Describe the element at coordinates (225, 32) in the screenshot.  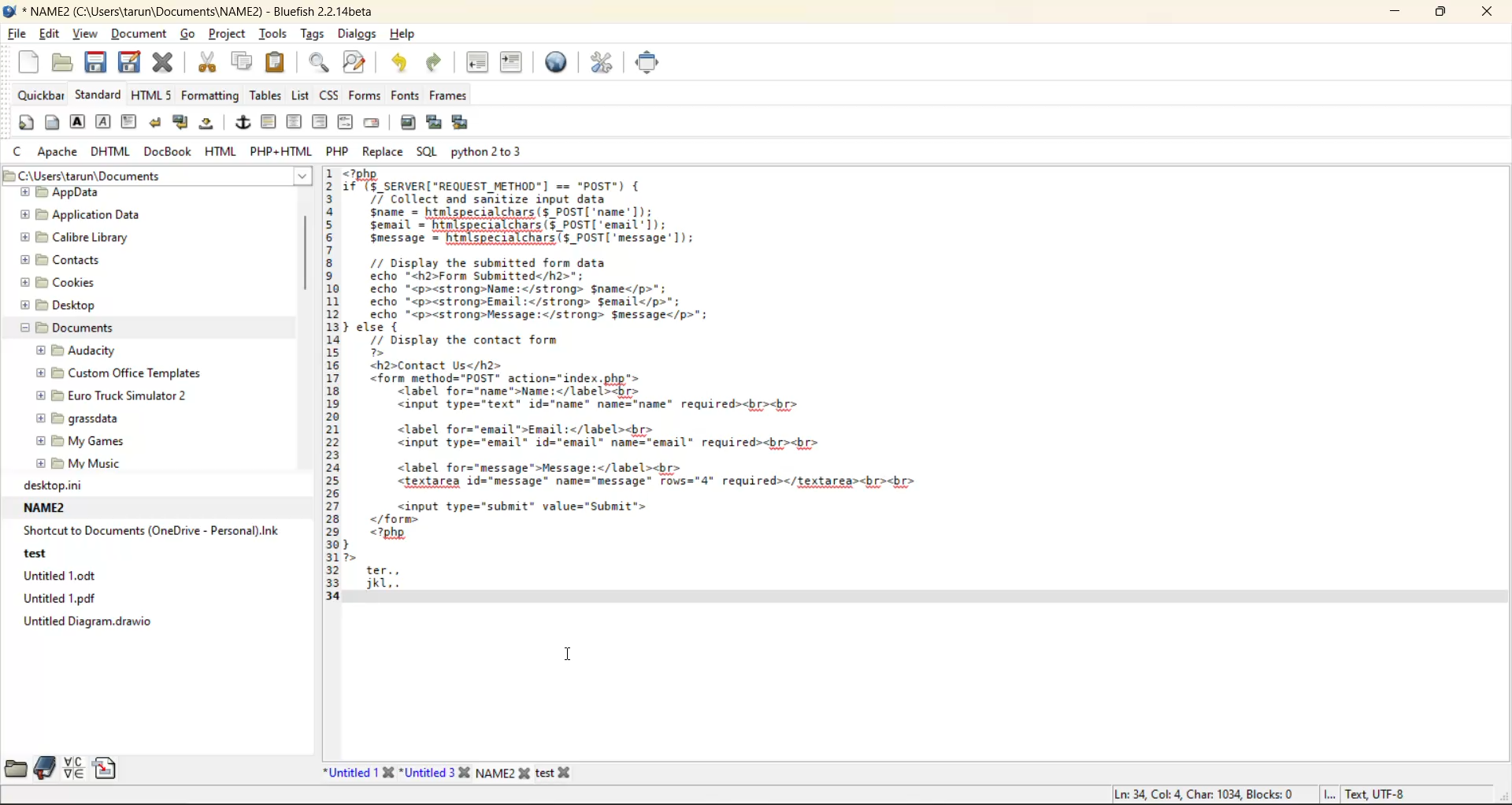
I see `project` at that location.